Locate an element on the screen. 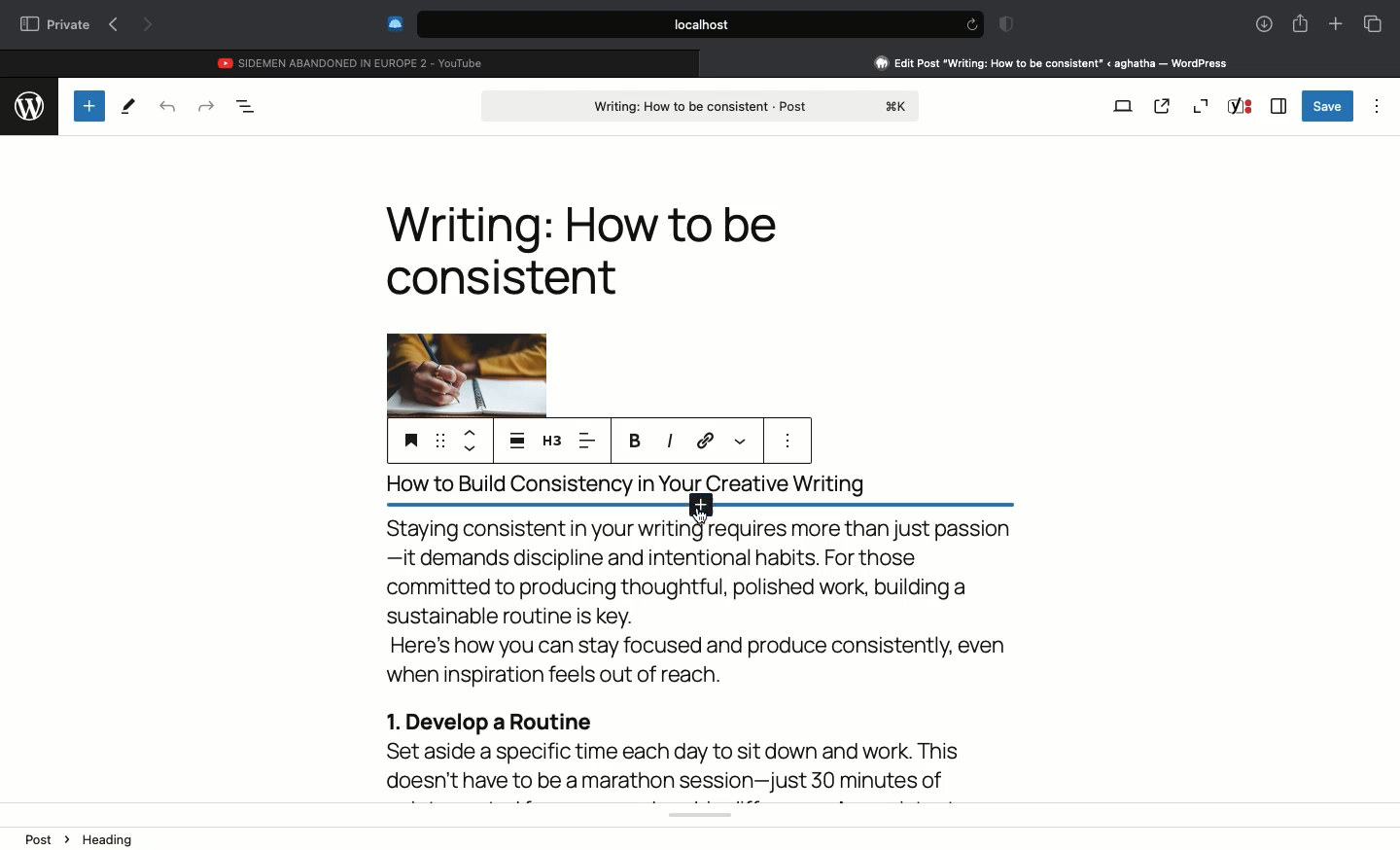 This screenshot has width=1400, height=850. Search bar is located at coordinates (682, 24).